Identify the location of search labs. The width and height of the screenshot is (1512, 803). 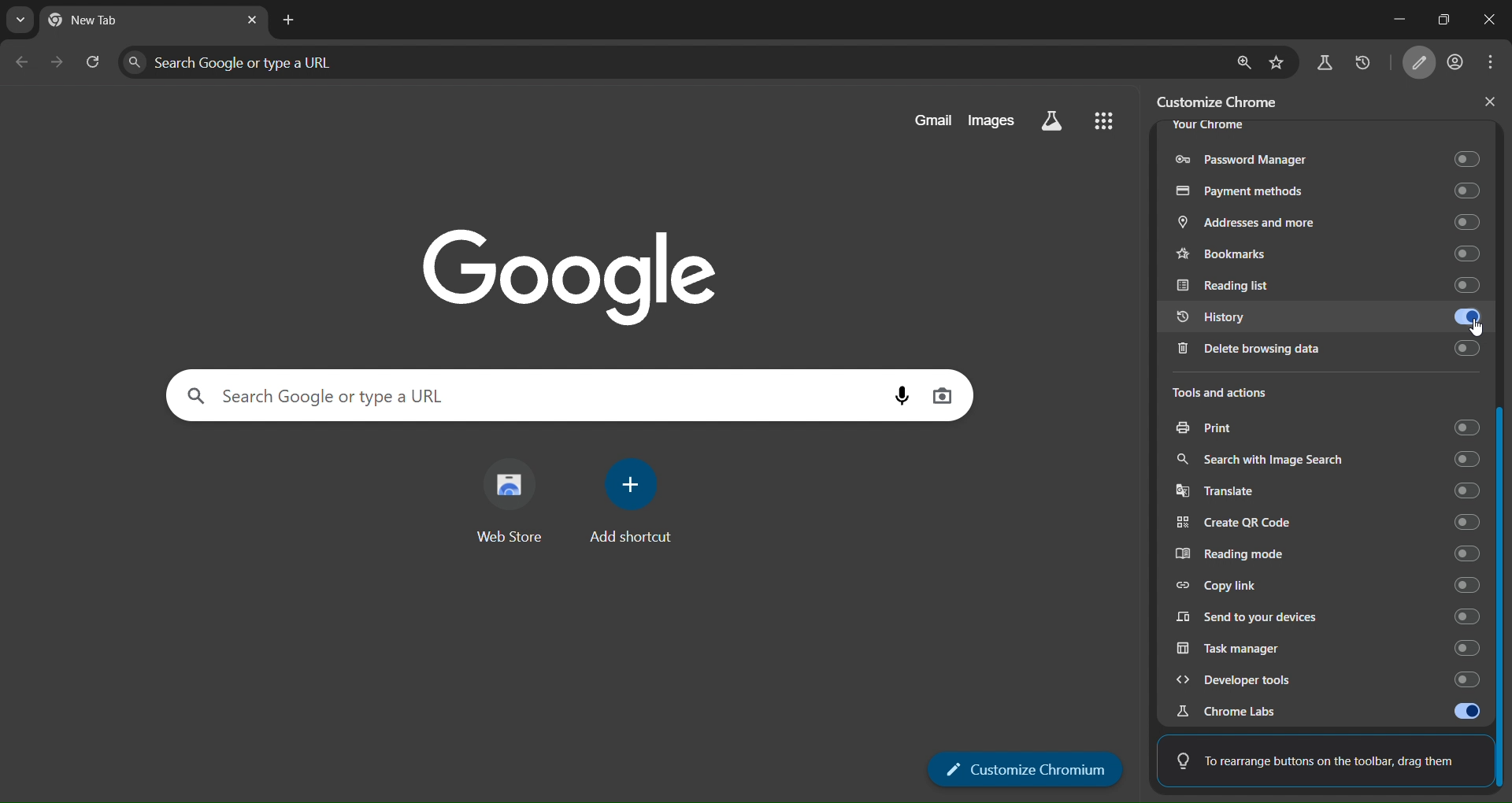
(1324, 66).